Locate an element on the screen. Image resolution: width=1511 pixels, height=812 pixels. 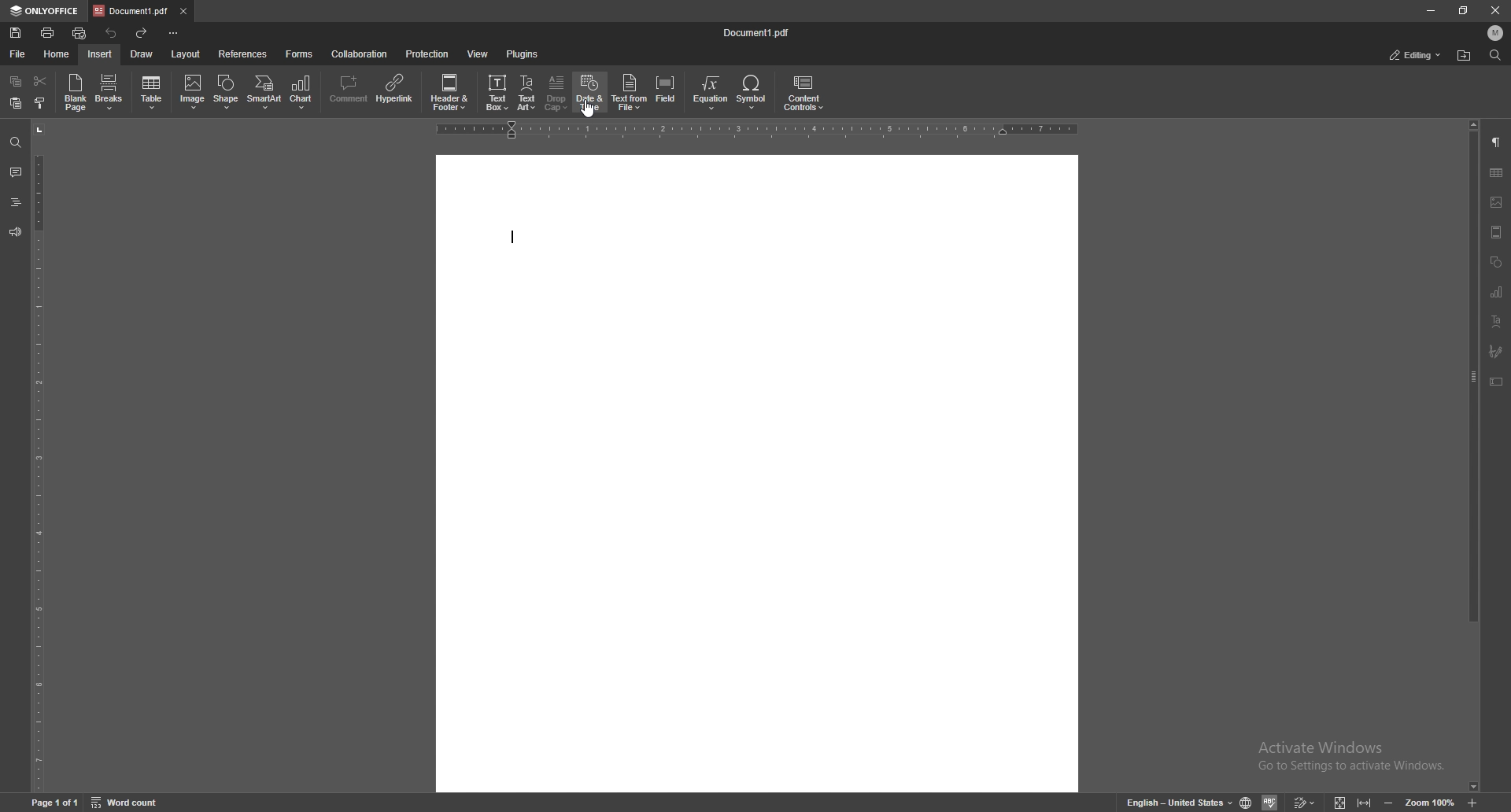
text align is located at coordinates (1498, 321).